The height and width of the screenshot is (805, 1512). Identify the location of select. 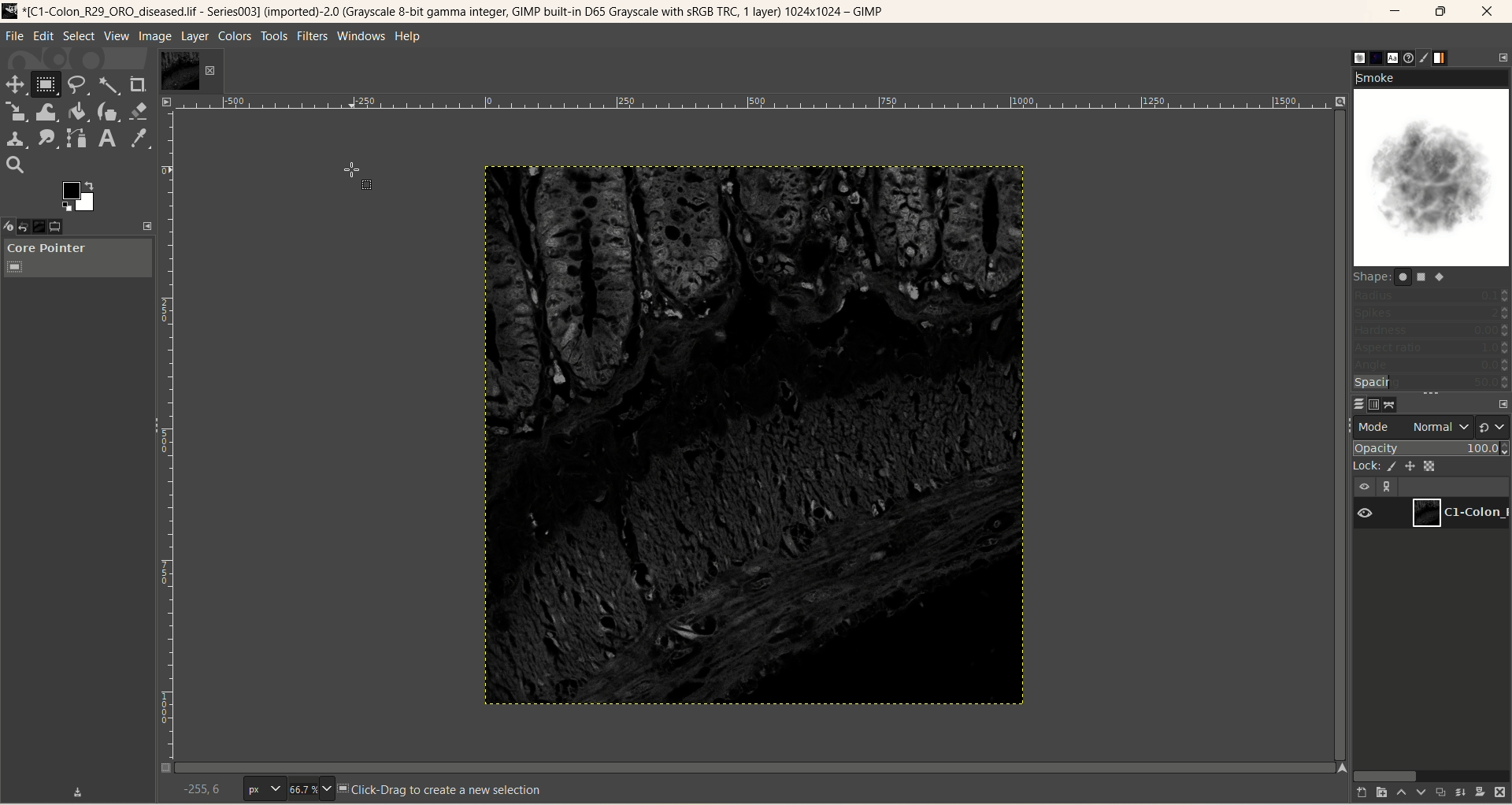
(80, 37).